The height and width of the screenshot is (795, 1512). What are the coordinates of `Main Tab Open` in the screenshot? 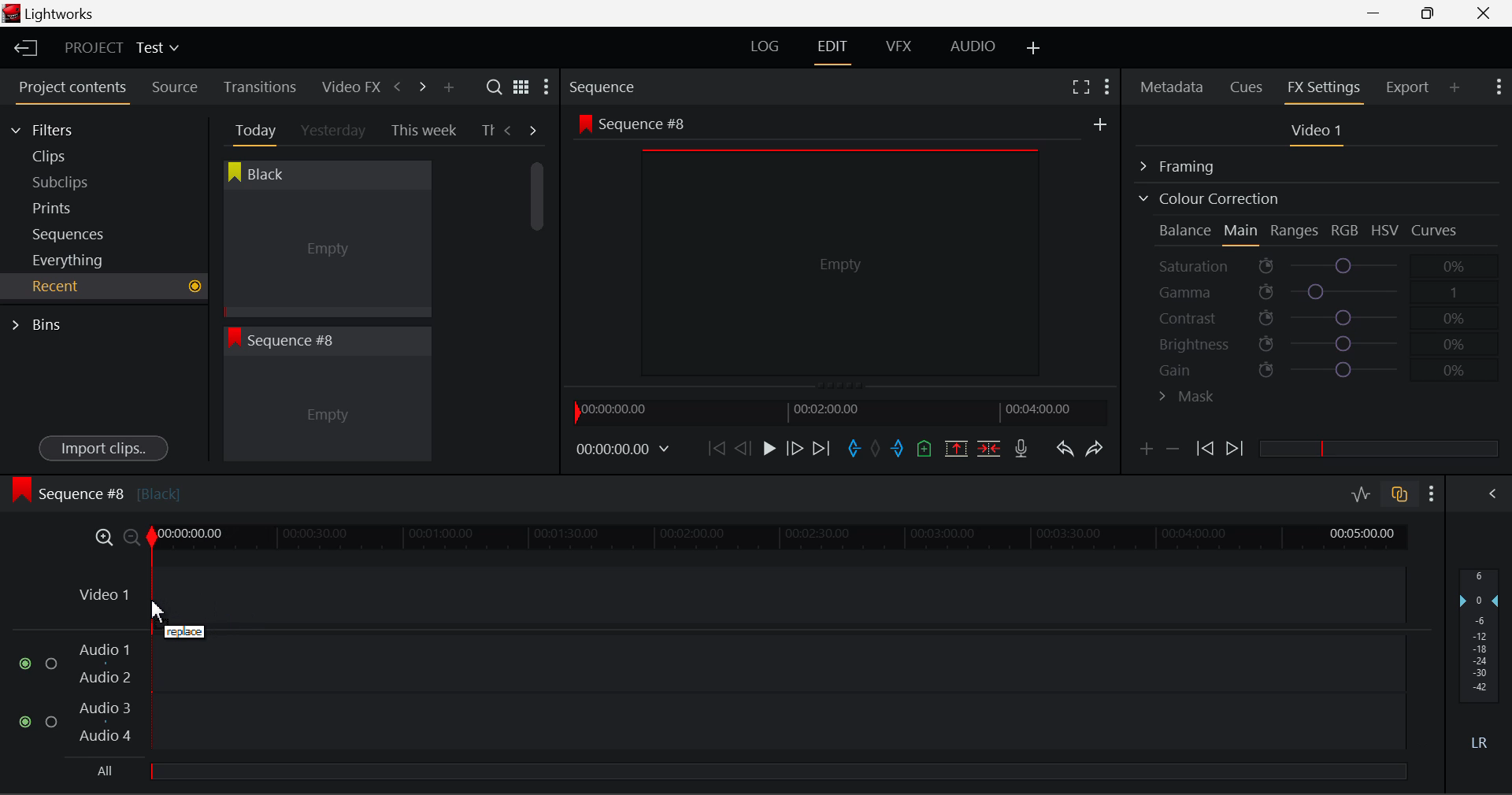 It's located at (1242, 232).